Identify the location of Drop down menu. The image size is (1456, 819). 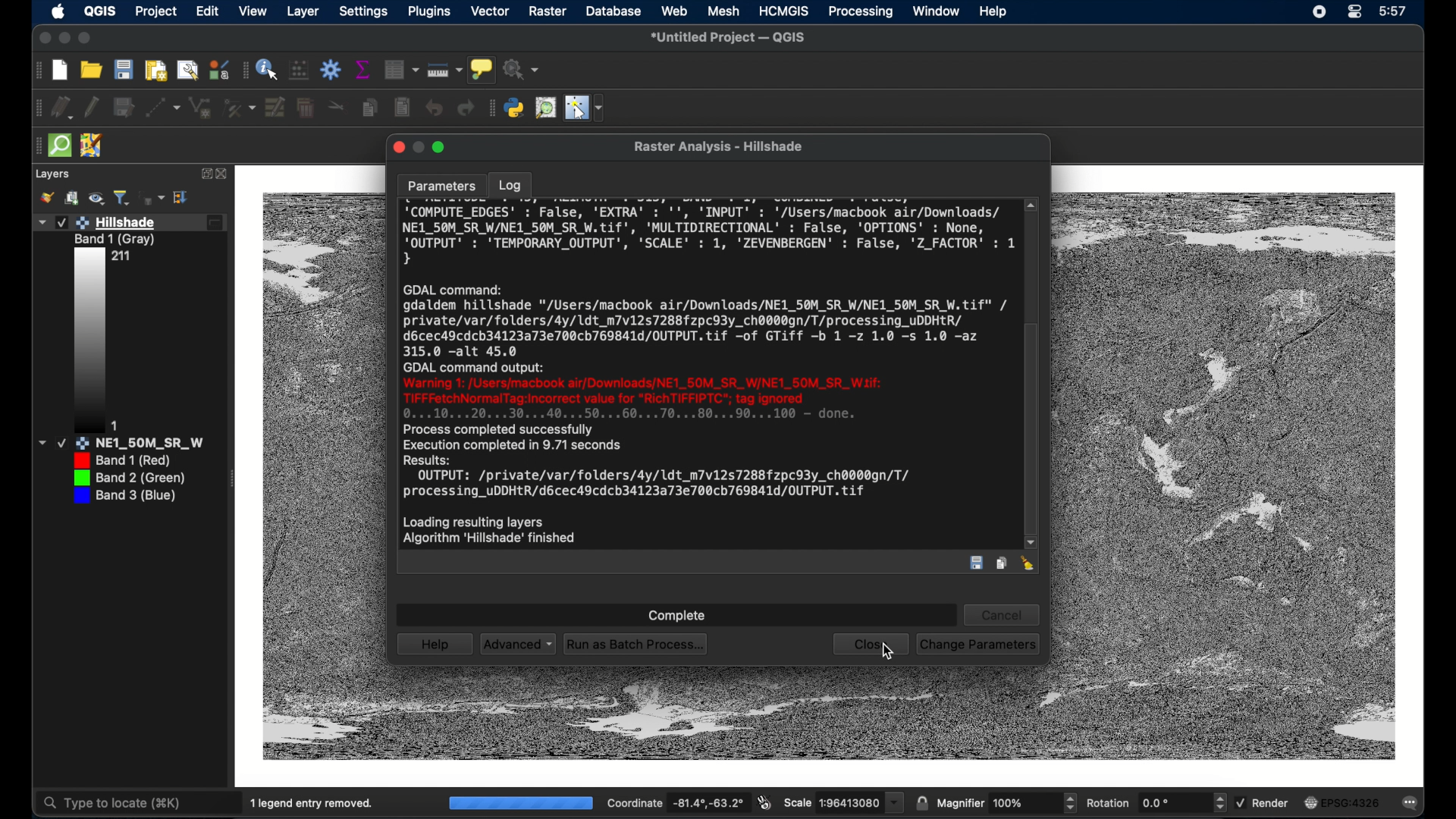
(902, 804).